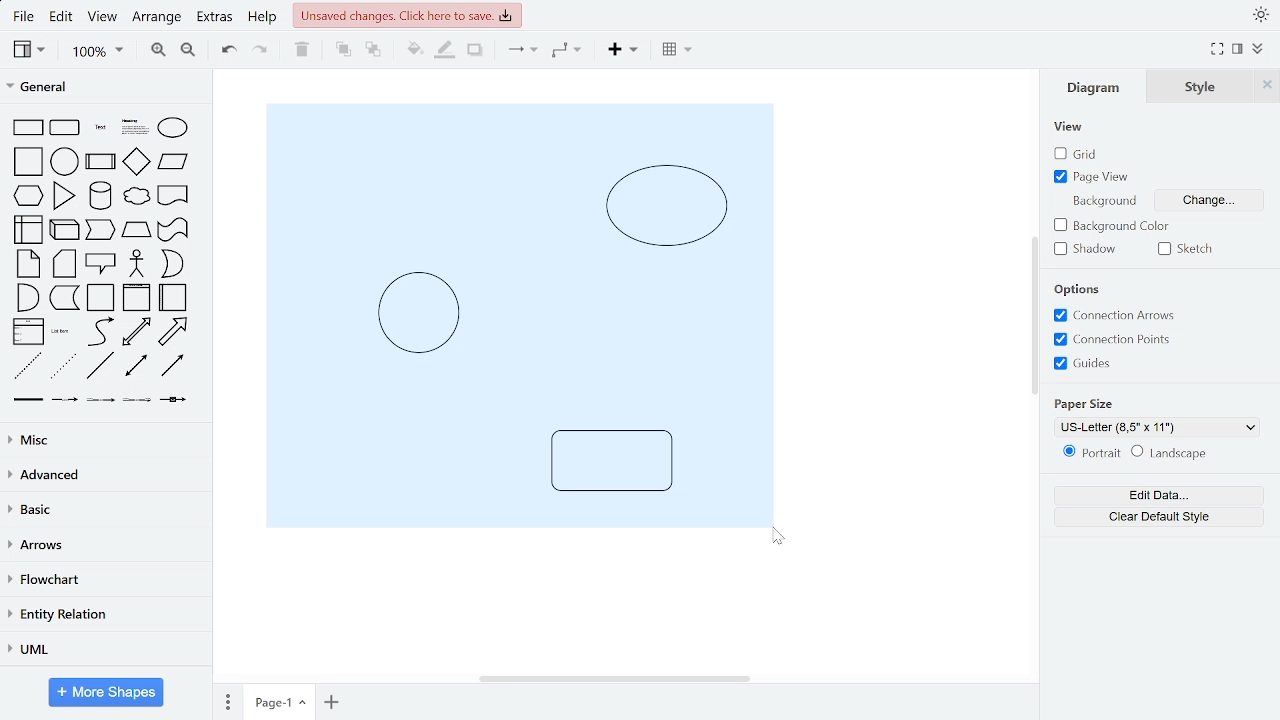  Describe the element at coordinates (474, 51) in the screenshot. I see `shadow` at that location.